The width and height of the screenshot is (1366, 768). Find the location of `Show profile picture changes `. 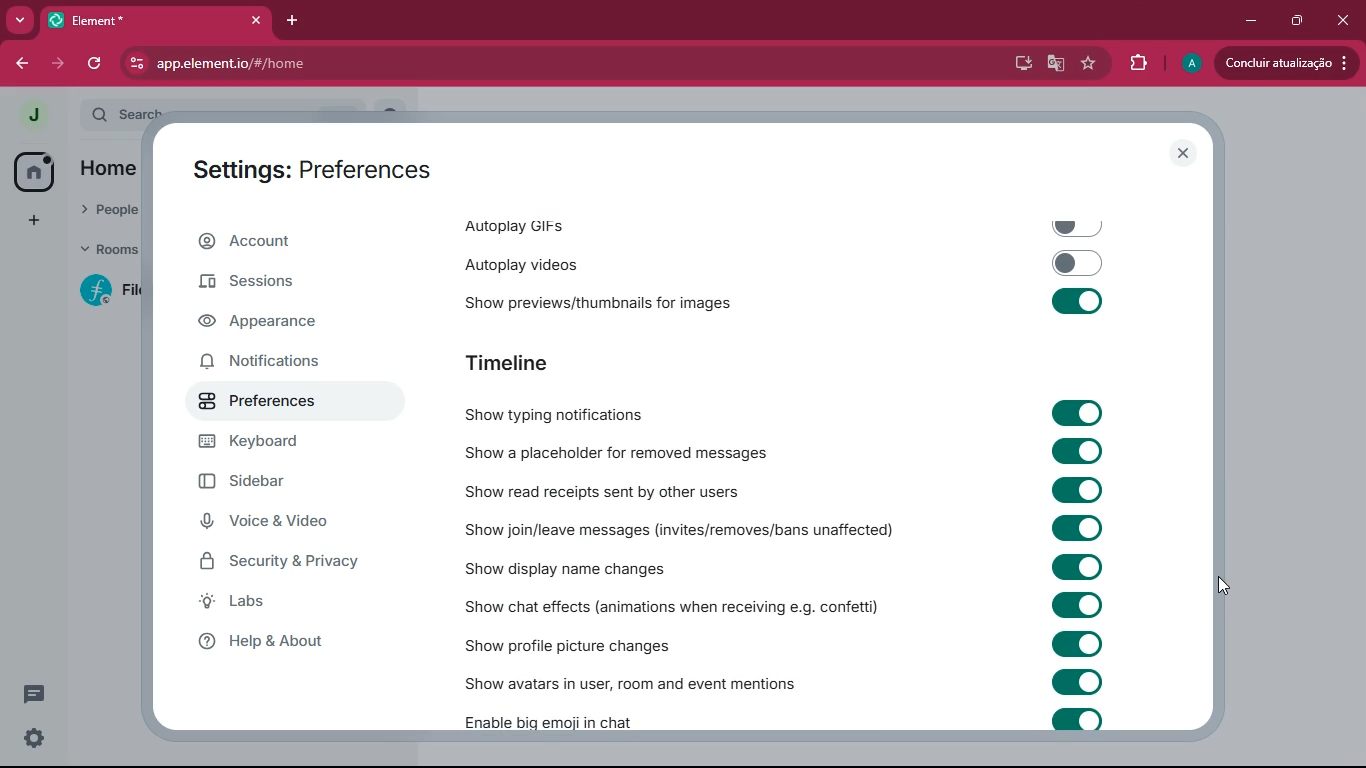

Show profile picture changes  is located at coordinates (784, 644).